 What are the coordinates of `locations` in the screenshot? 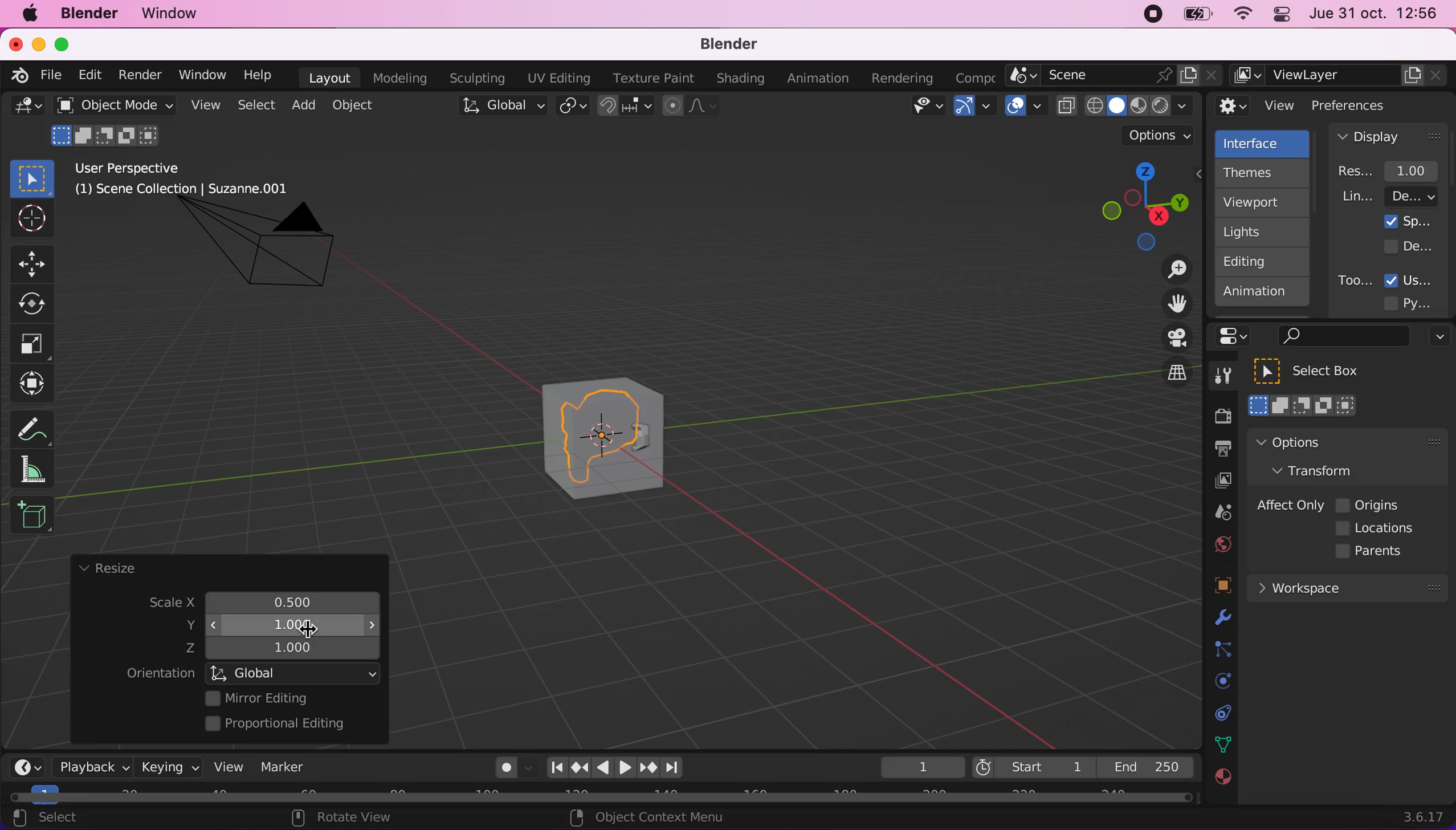 It's located at (1378, 528).